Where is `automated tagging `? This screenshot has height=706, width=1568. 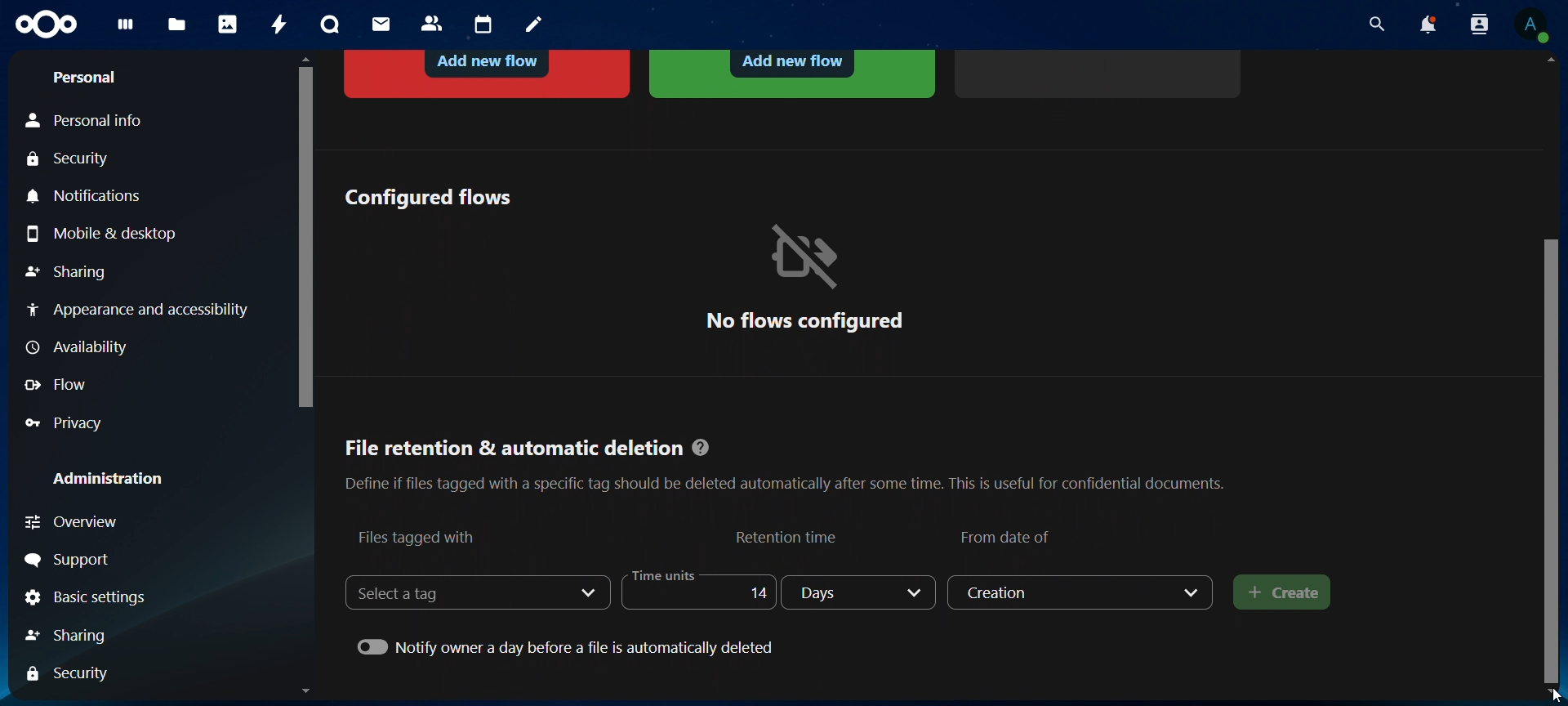
automated tagging  is located at coordinates (792, 73).